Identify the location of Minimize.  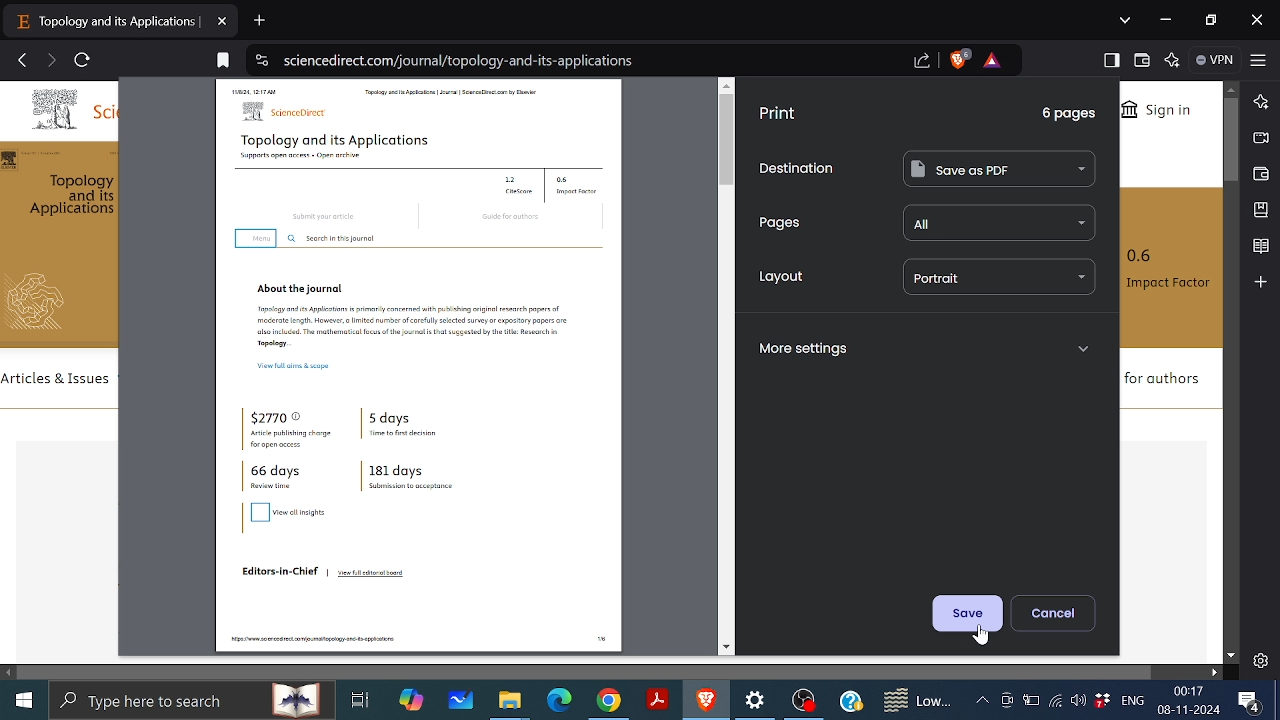
(1168, 20).